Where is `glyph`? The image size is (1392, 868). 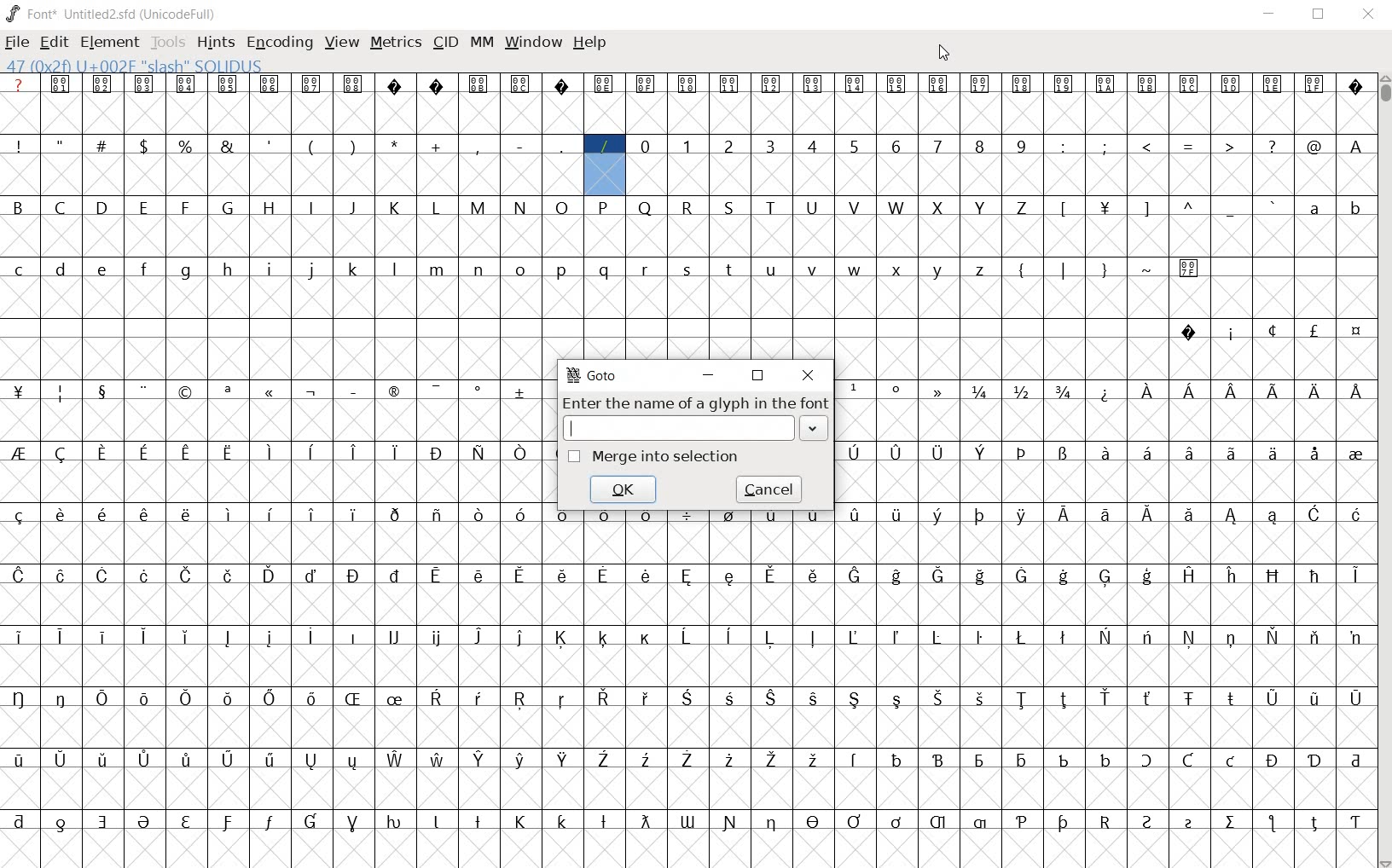
glyph is located at coordinates (270, 85).